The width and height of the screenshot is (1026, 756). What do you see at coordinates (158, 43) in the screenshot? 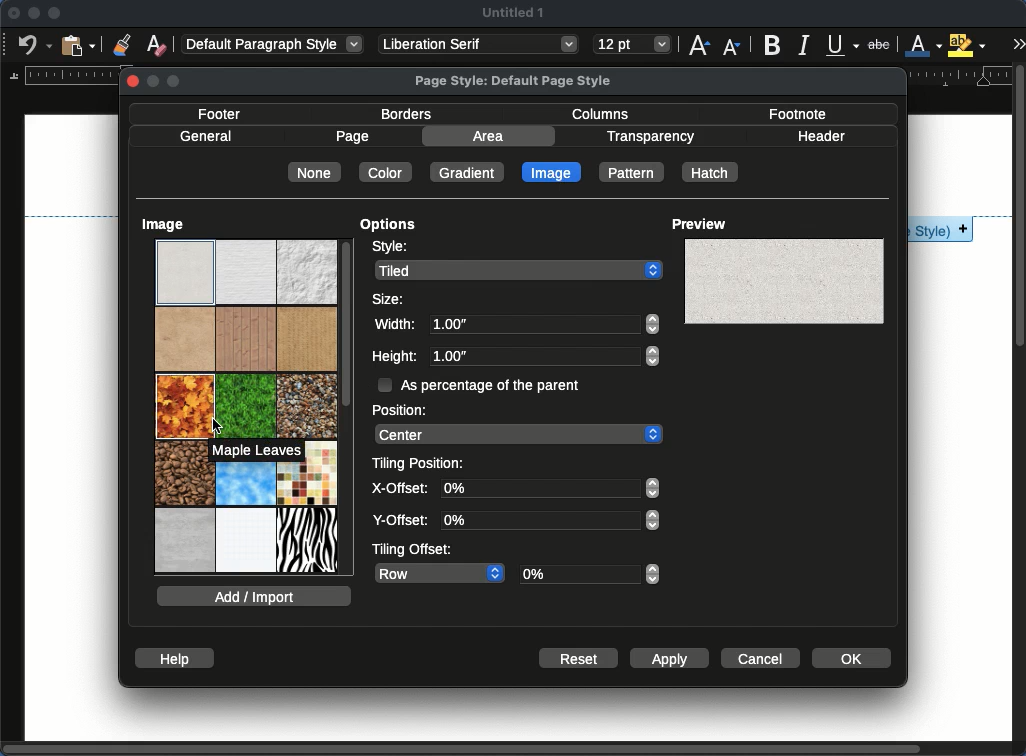
I see `clear formatting` at bounding box center [158, 43].